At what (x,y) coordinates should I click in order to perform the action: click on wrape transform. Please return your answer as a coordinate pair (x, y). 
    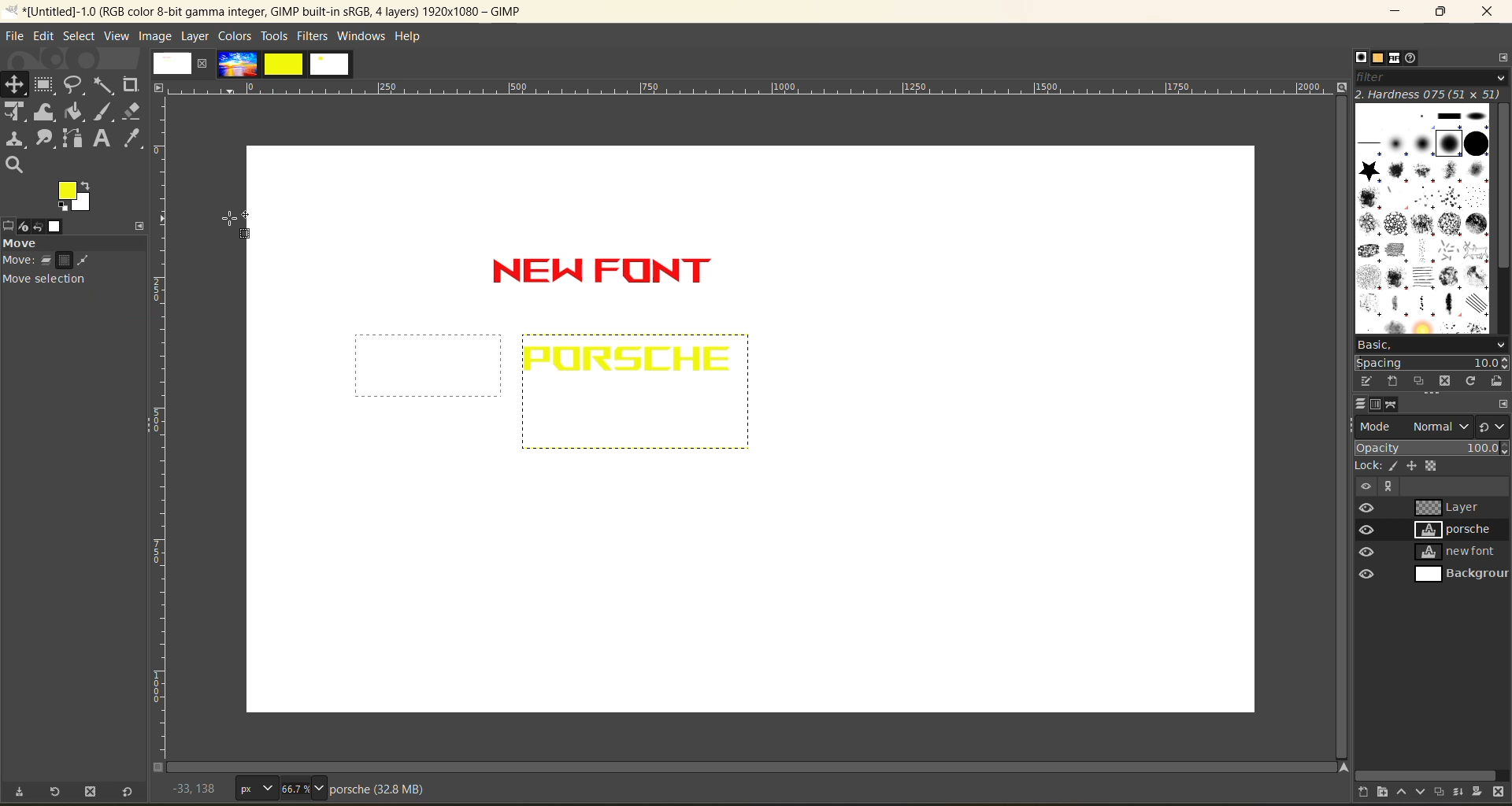
    Looking at the image, I should click on (45, 113).